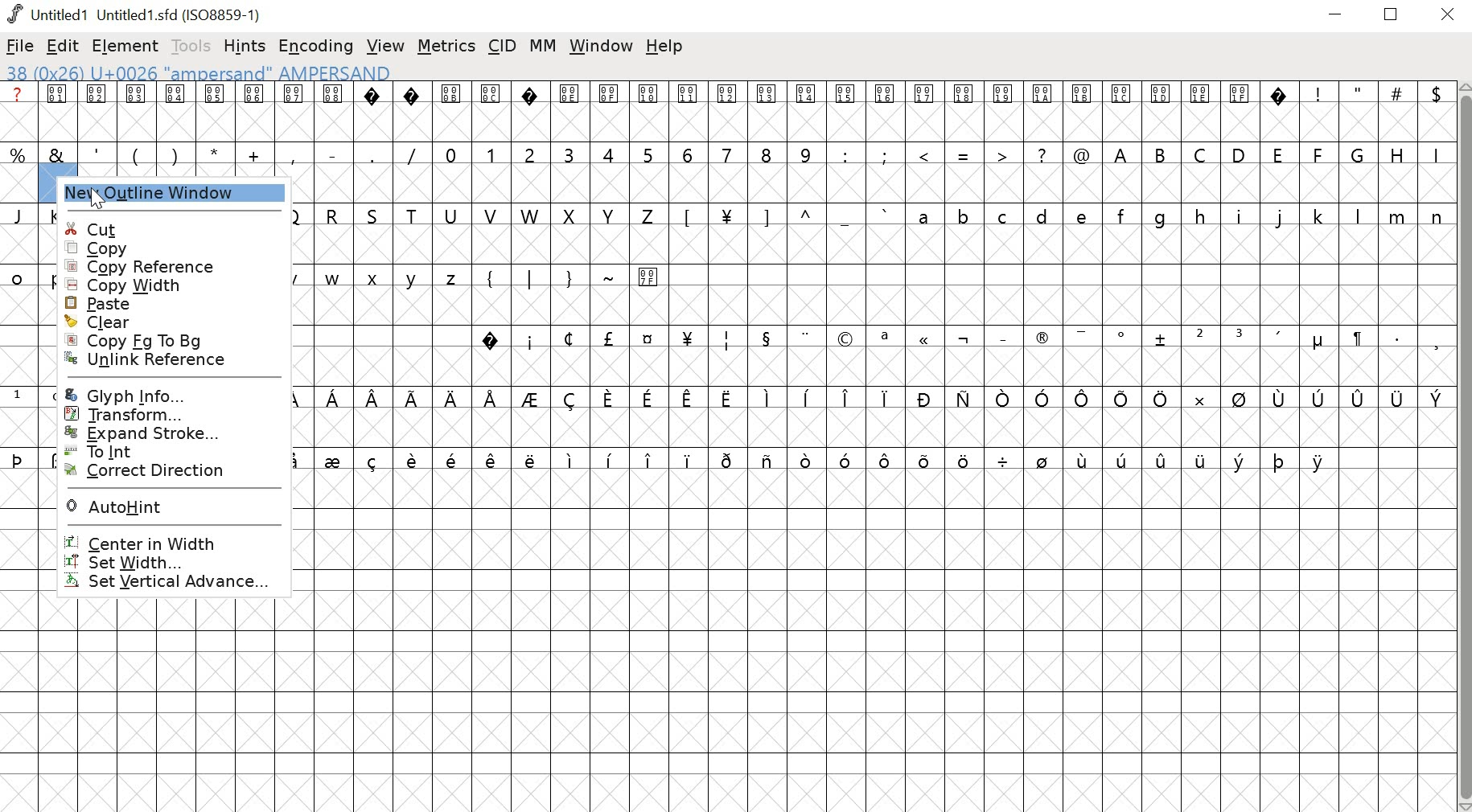 This screenshot has height=812, width=1472. What do you see at coordinates (844, 154) in the screenshot?
I see `:` at bounding box center [844, 154].